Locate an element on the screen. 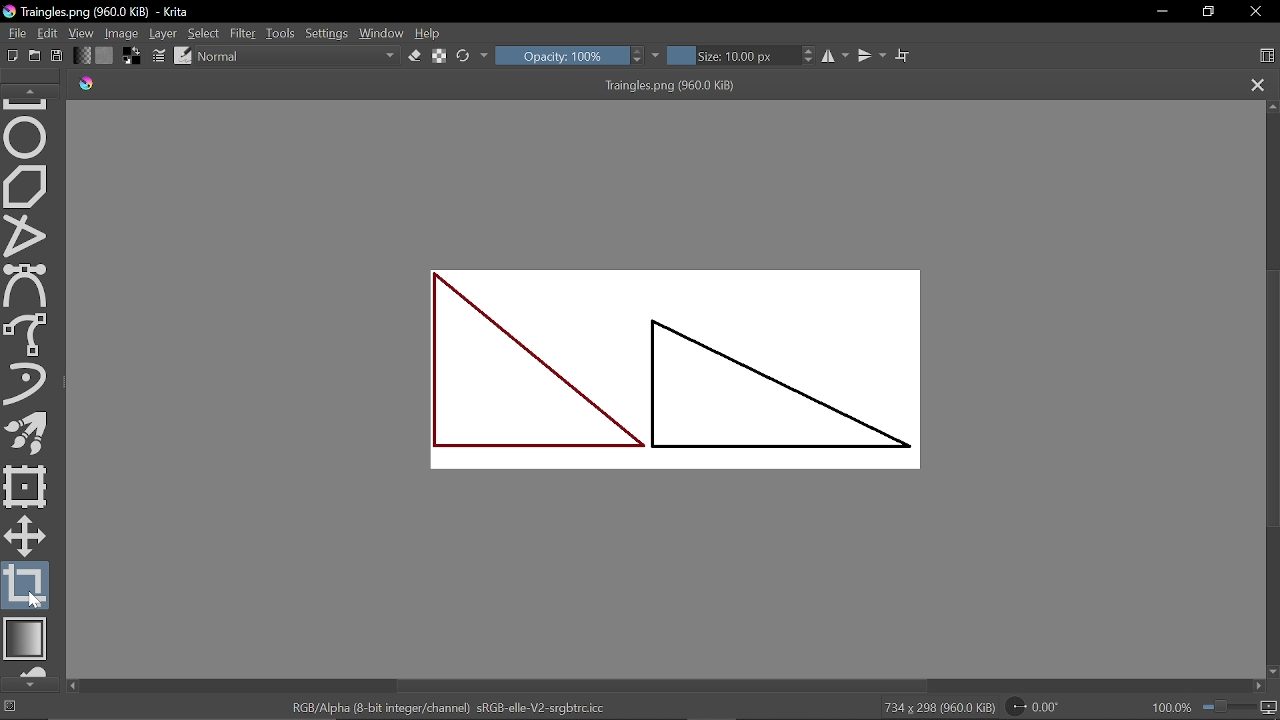 The width and height of the screenshot is (1280, 720). Multibrush tool is located at coordinates (30, 436).